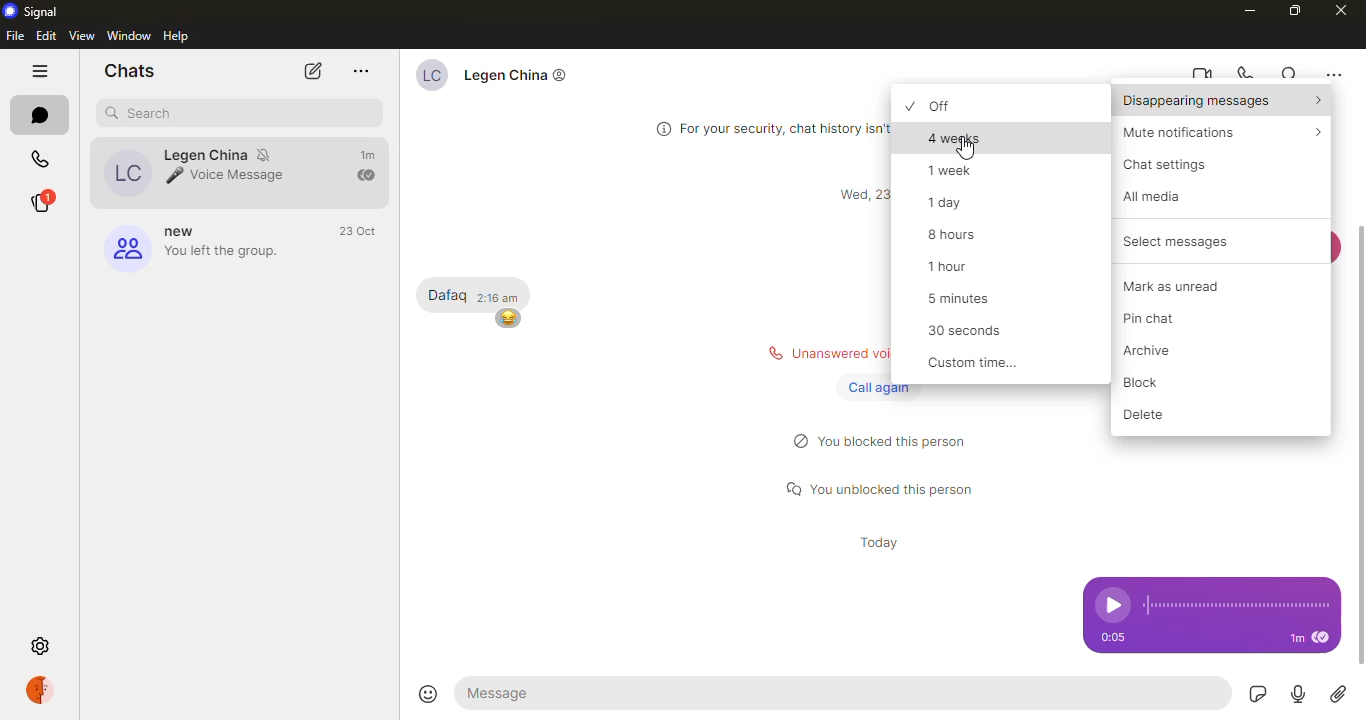 This screenshot has width=1366, height=720. What do you see at coordinates (42, 71) in the screenshot?
I see `hide tabs` at bounding box center [42, 71].